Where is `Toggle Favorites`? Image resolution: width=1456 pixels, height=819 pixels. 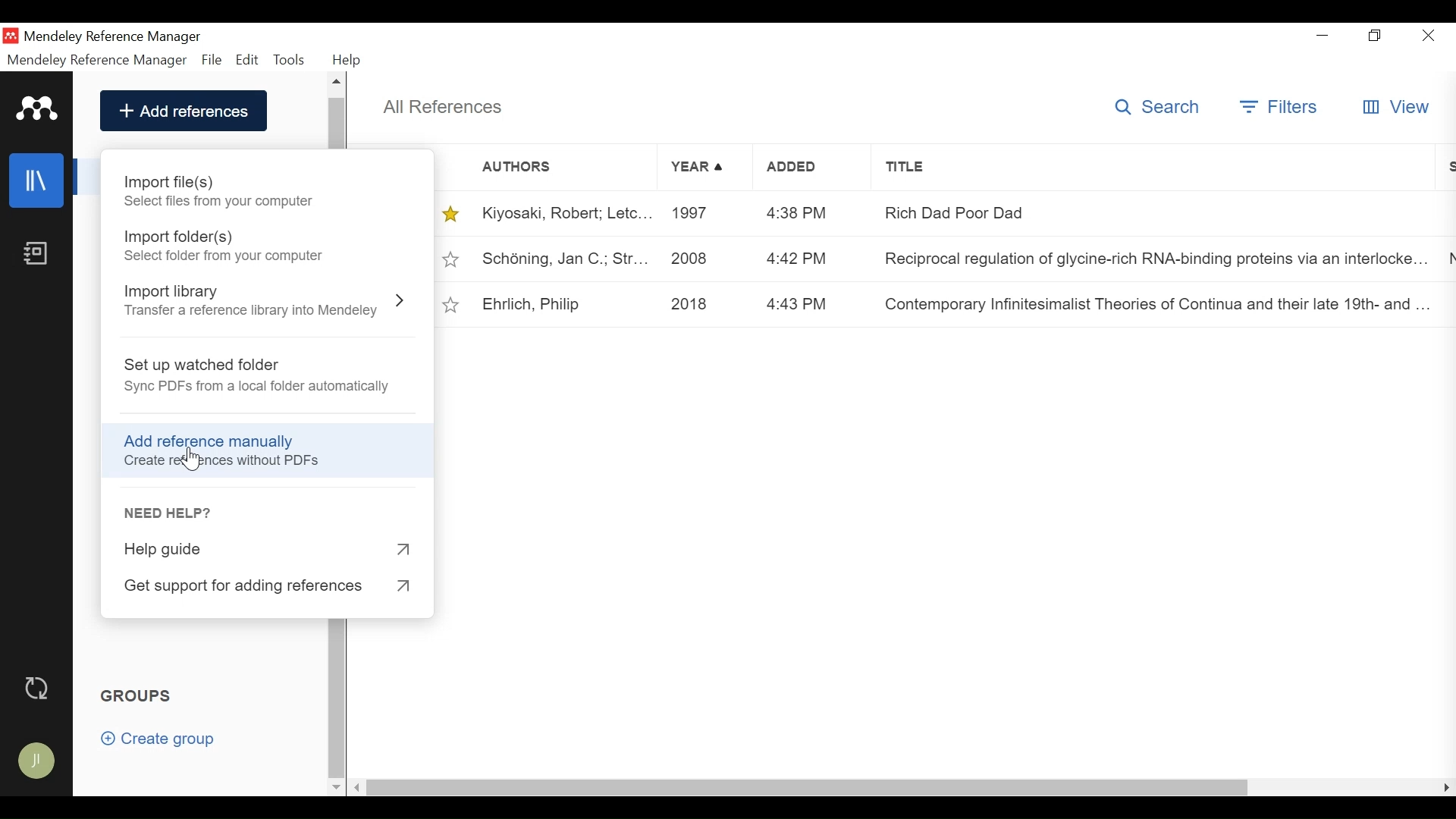 Toggle Favorites is located at coordinates (451, 212).